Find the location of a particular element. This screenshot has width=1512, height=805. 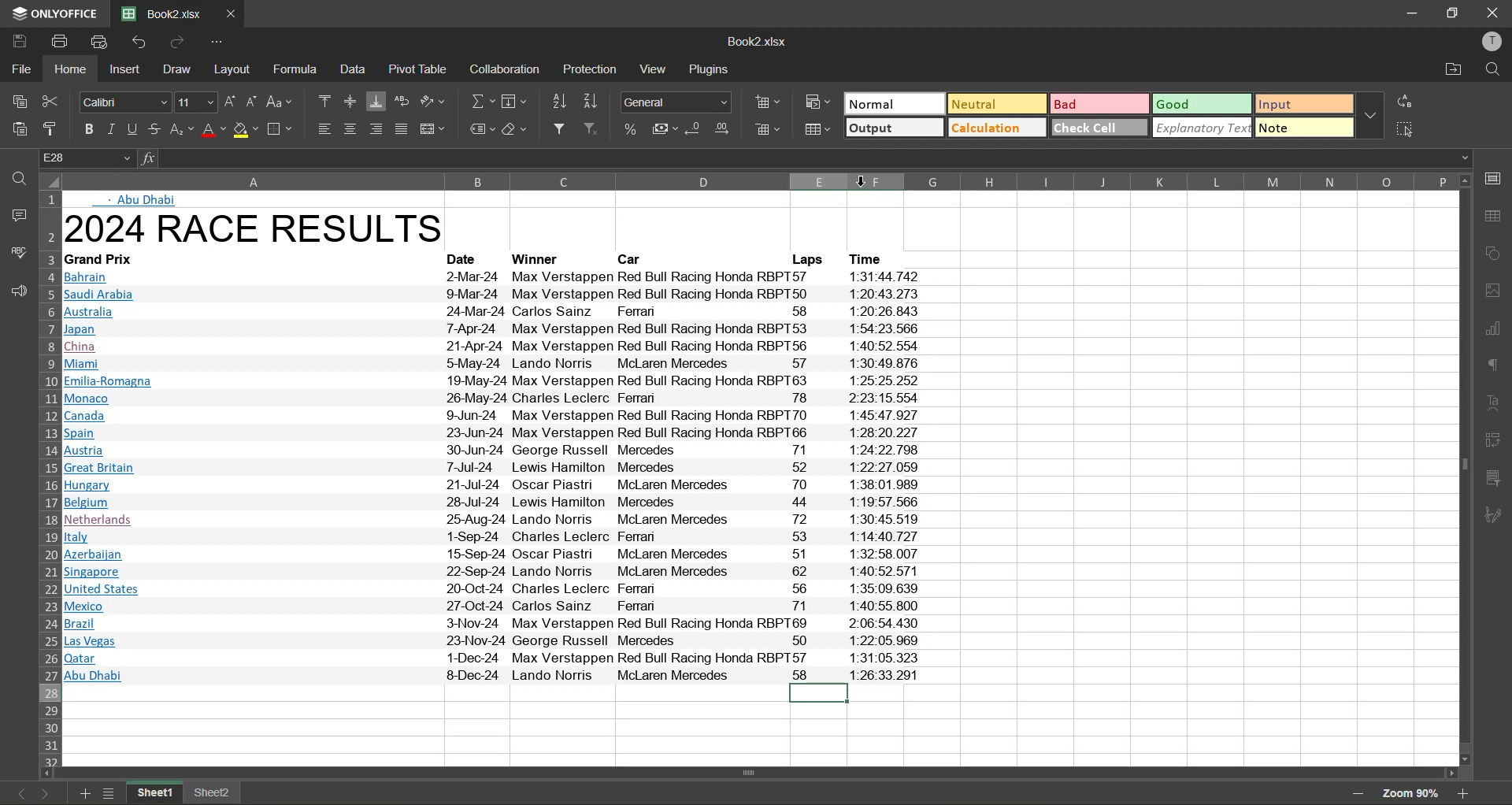

font size is located at coordinates (198, 102).